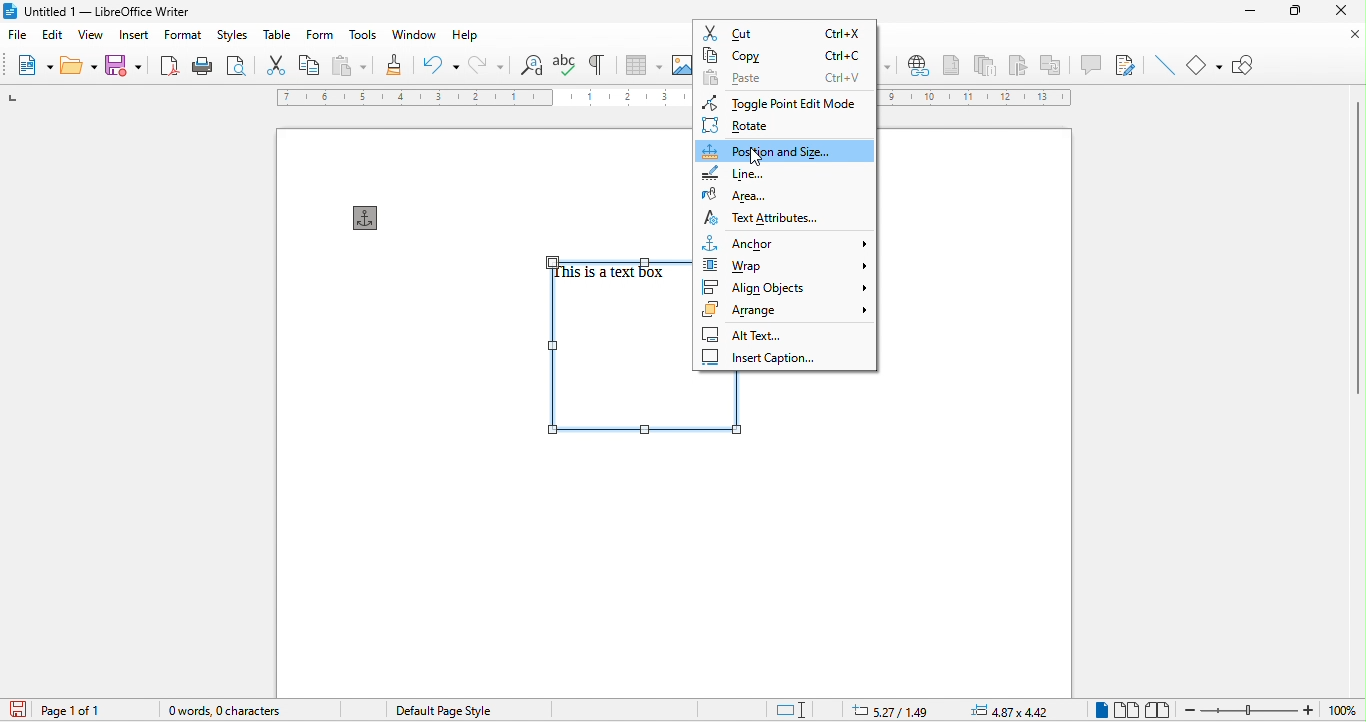 The height and width of the screenshot is (722, 1366). Describe the element at coordinates (1245, 62) in the screenshot. I see `show draw function` at that location.